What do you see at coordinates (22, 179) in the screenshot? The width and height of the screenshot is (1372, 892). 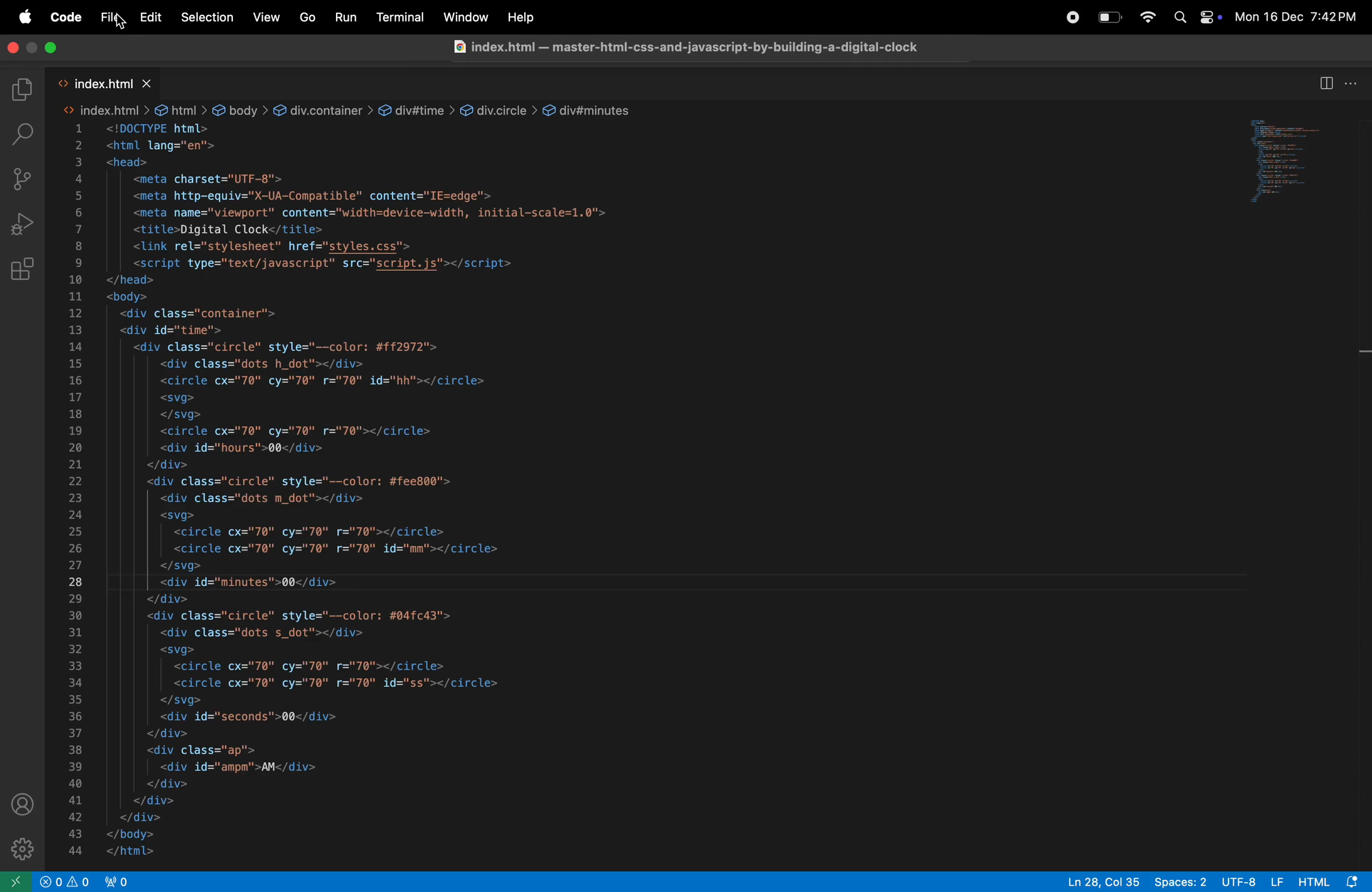 I see `source control` at bounding box center [22, 179].